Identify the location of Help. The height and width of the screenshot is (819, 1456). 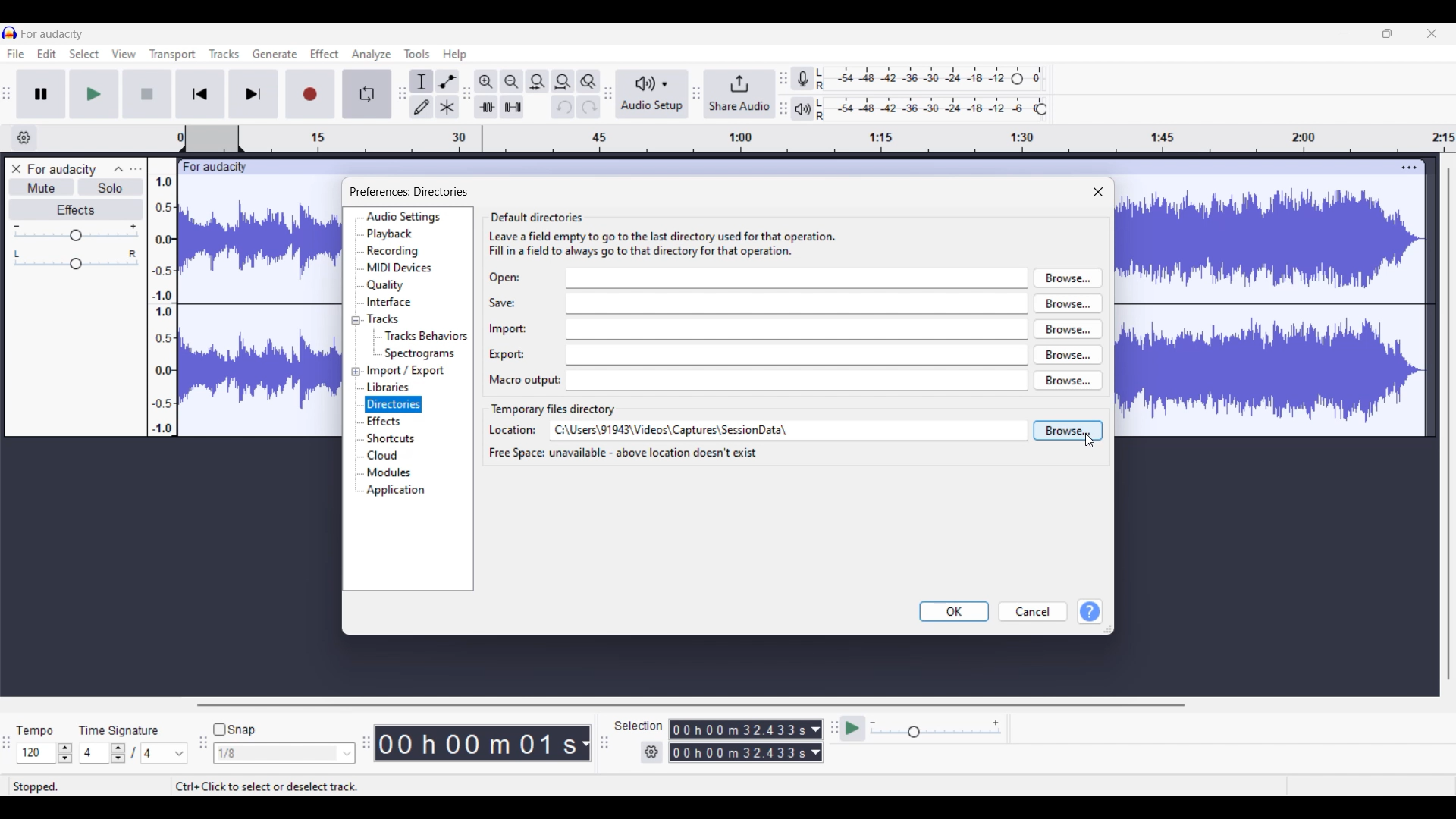
(1090, 611).